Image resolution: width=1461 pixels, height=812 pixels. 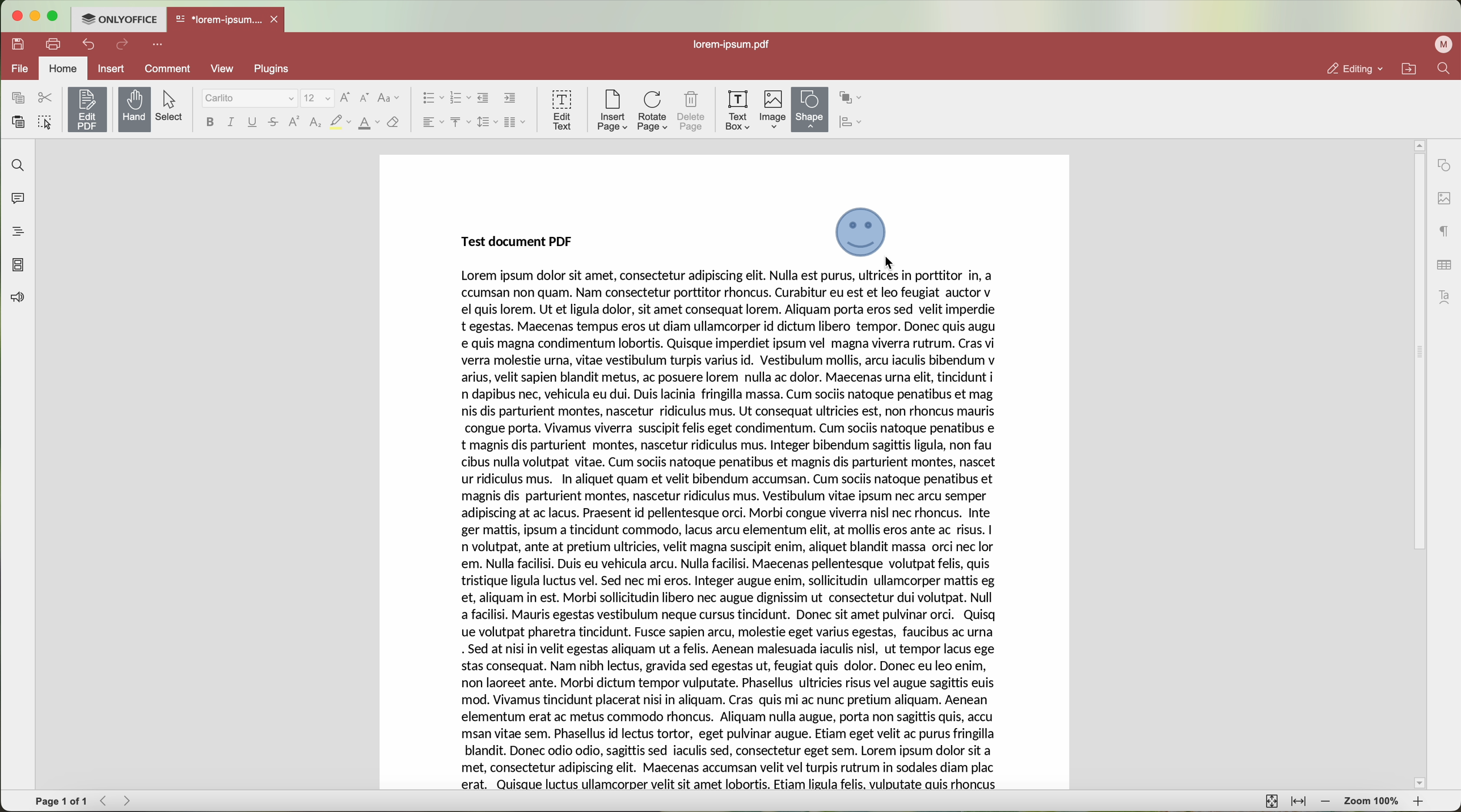 What do you see at coordinates (275, 124) in the screenshot?
I see `strikethrough` at bounding box center [275, 124].